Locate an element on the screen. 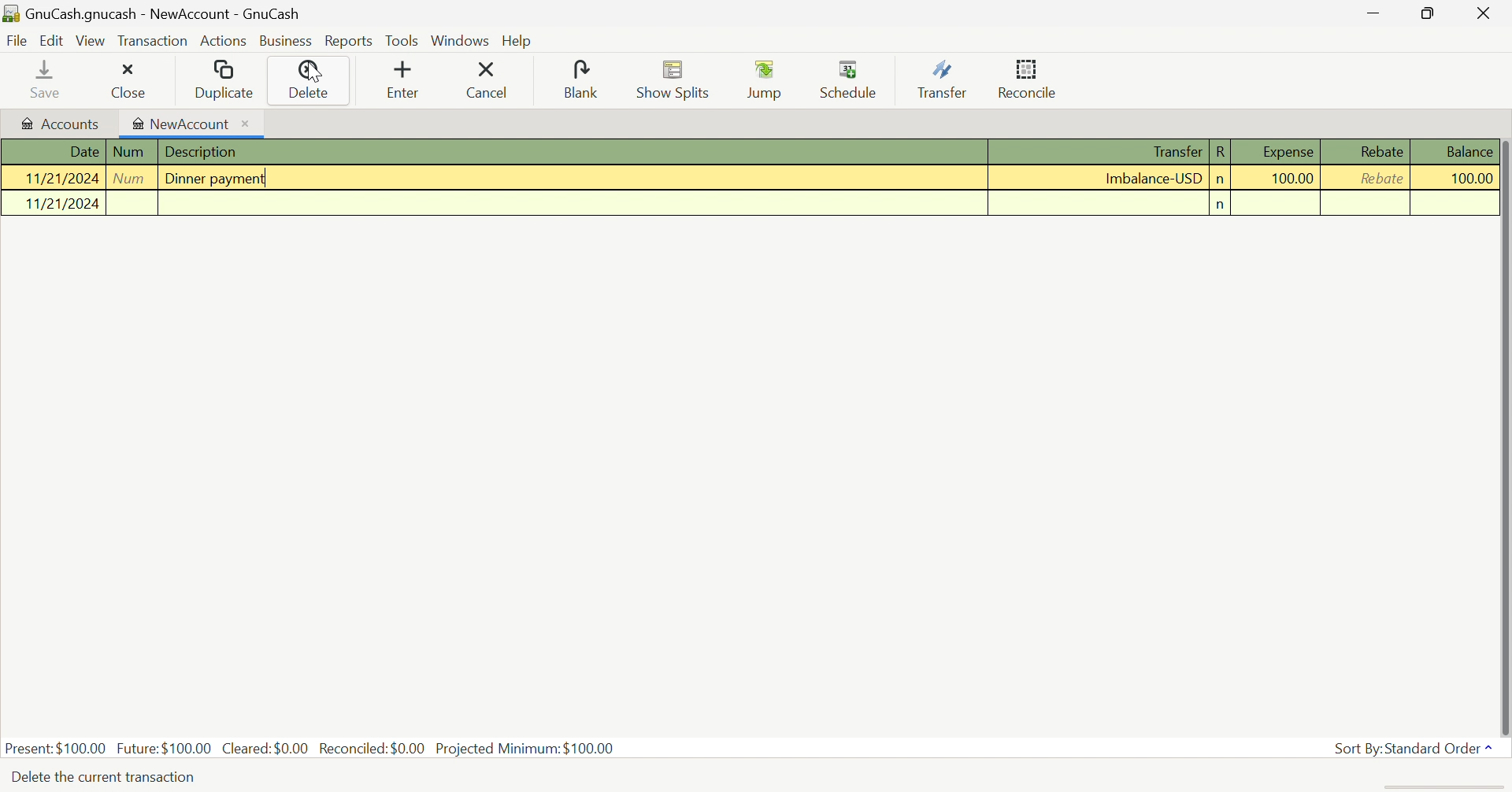 The height and width of the screenshot is (792, 1512). Description is located at coordinates (199, 152).